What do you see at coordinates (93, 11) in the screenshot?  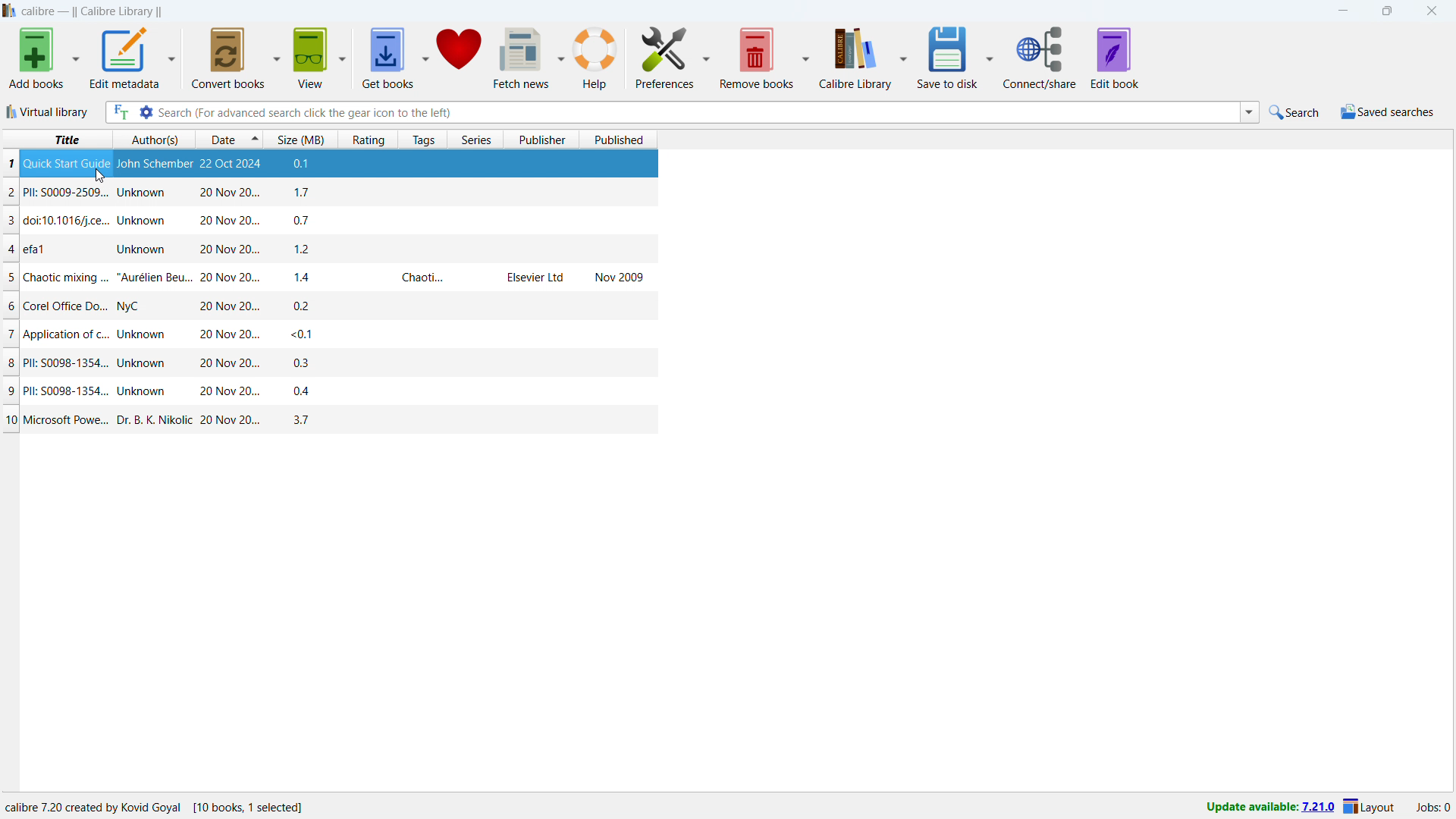 I see `title` at bounding box center [93, 11].